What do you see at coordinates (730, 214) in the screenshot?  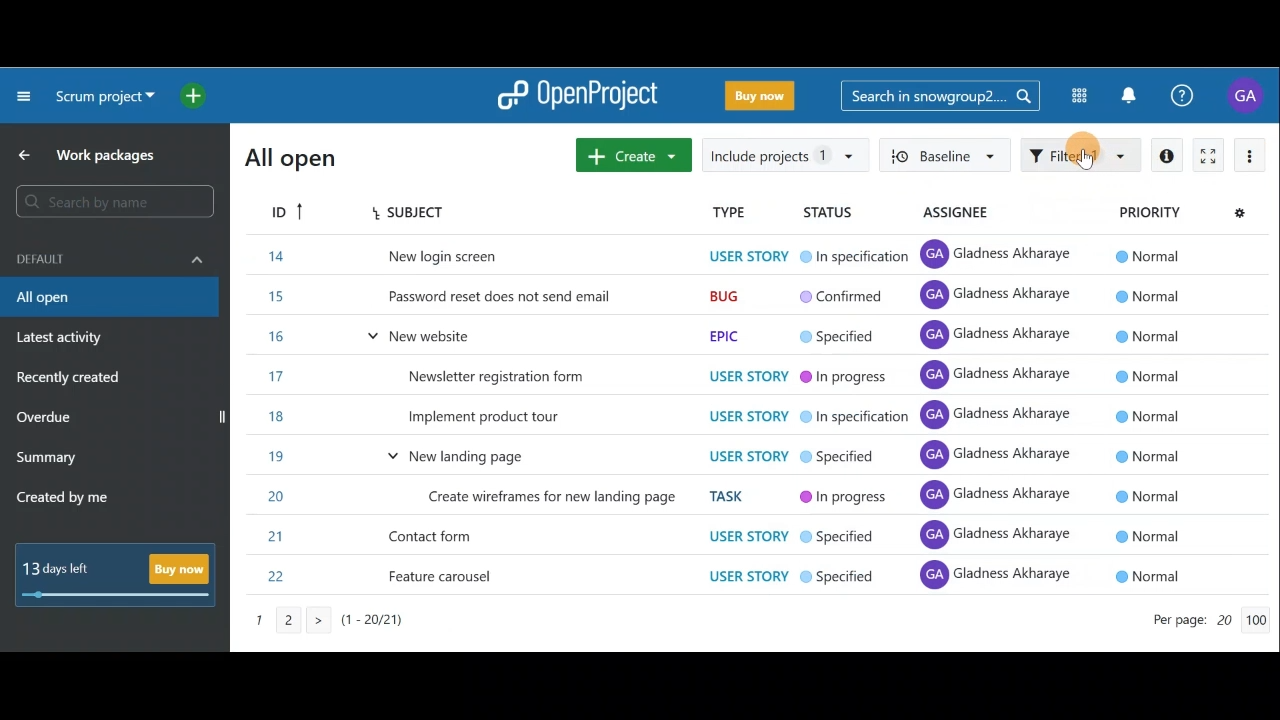 I see `Type` at bounding box center [730, 214].